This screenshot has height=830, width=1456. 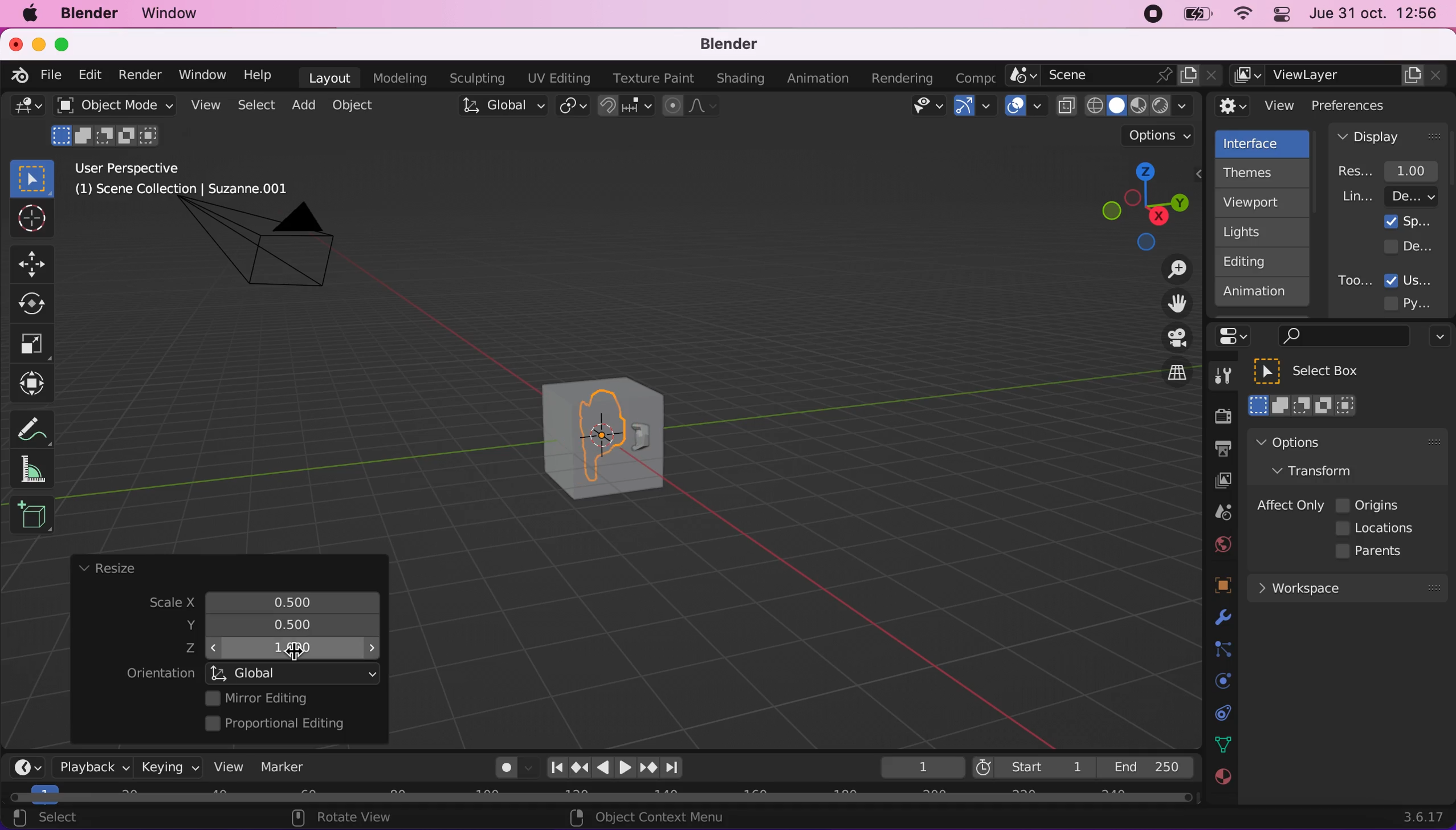 What do you see at coordinates (1408, 221) in the screenshot?
I see `splash screen` at bounding box center [1408, 221].